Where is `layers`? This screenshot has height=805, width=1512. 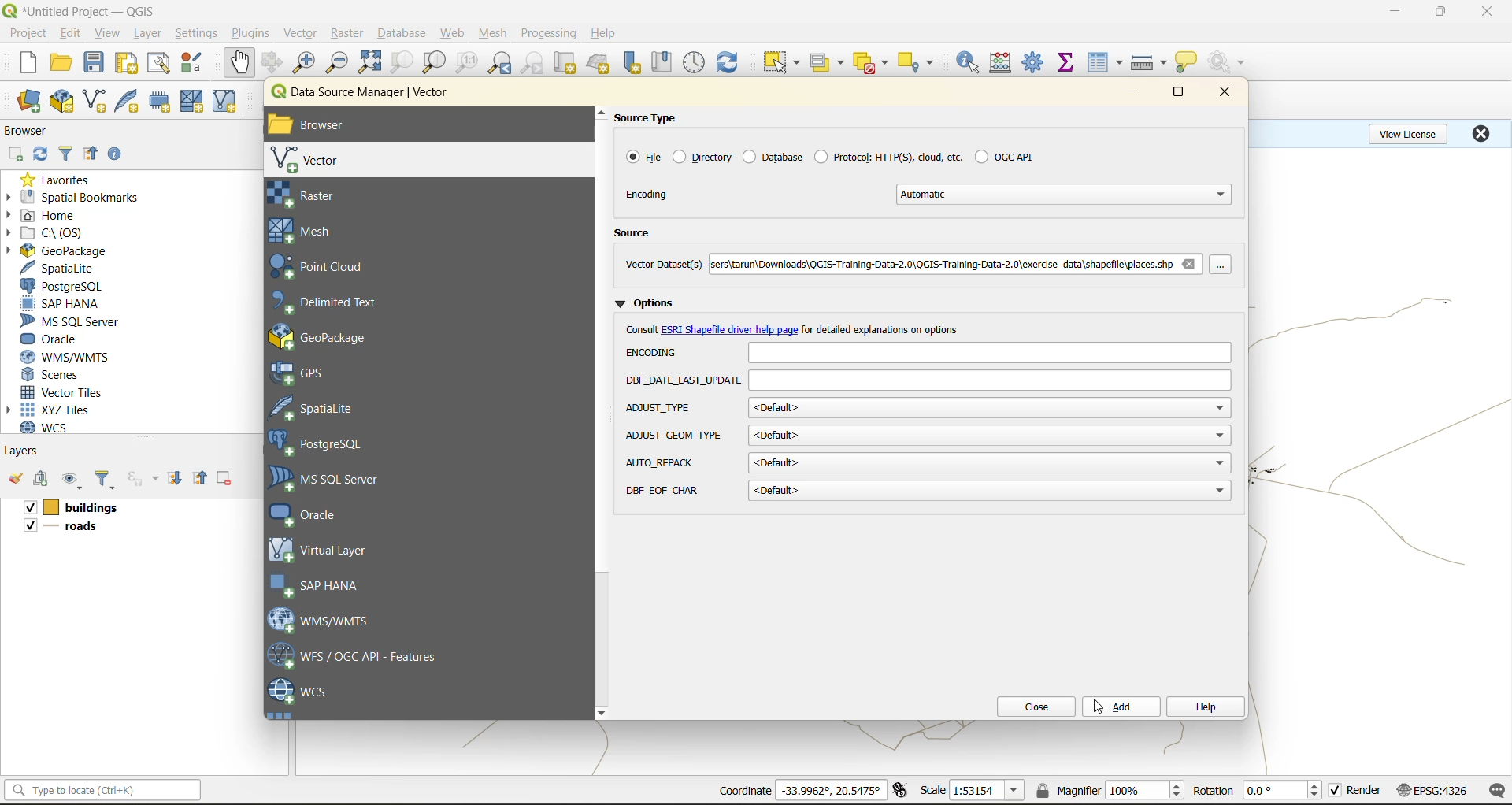
layers is located at coordinates (73, 529).